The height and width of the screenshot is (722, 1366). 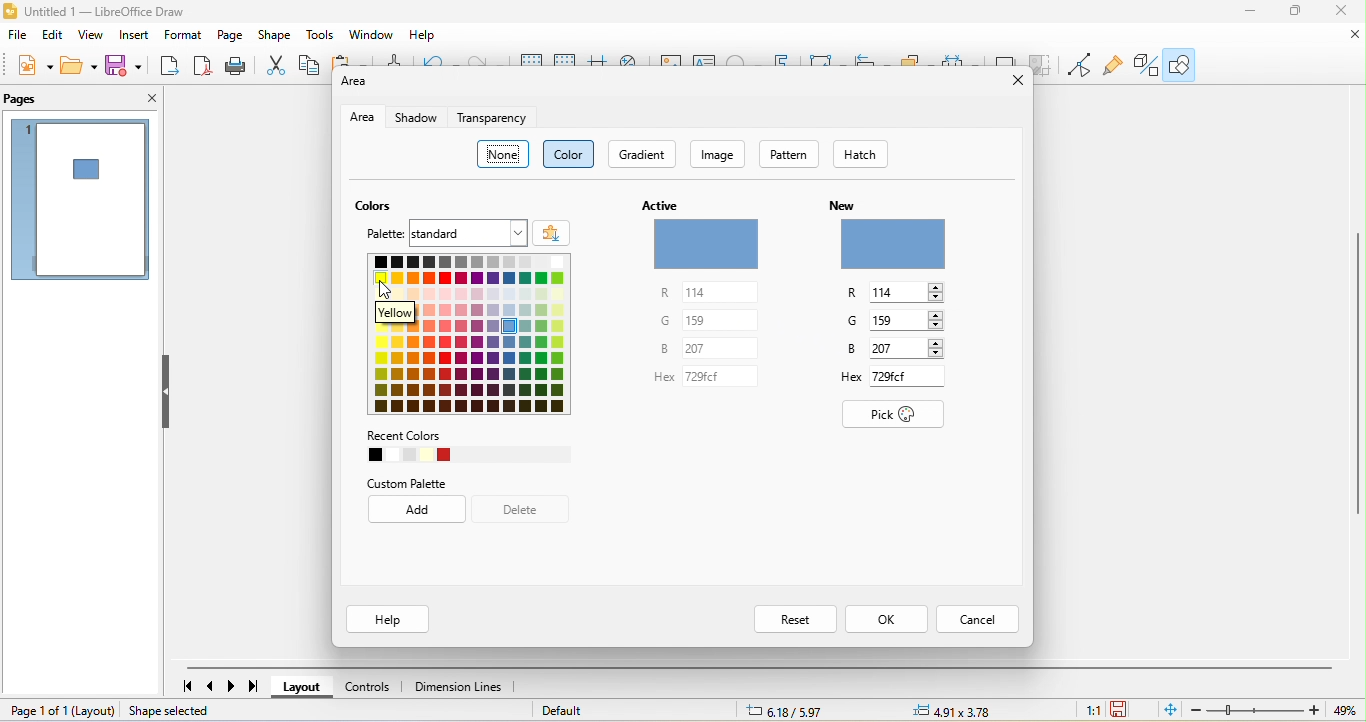 What do you see at coordinates (865, 154) in the screenshot?
I see `hatch` at bounding box center [865, 154].